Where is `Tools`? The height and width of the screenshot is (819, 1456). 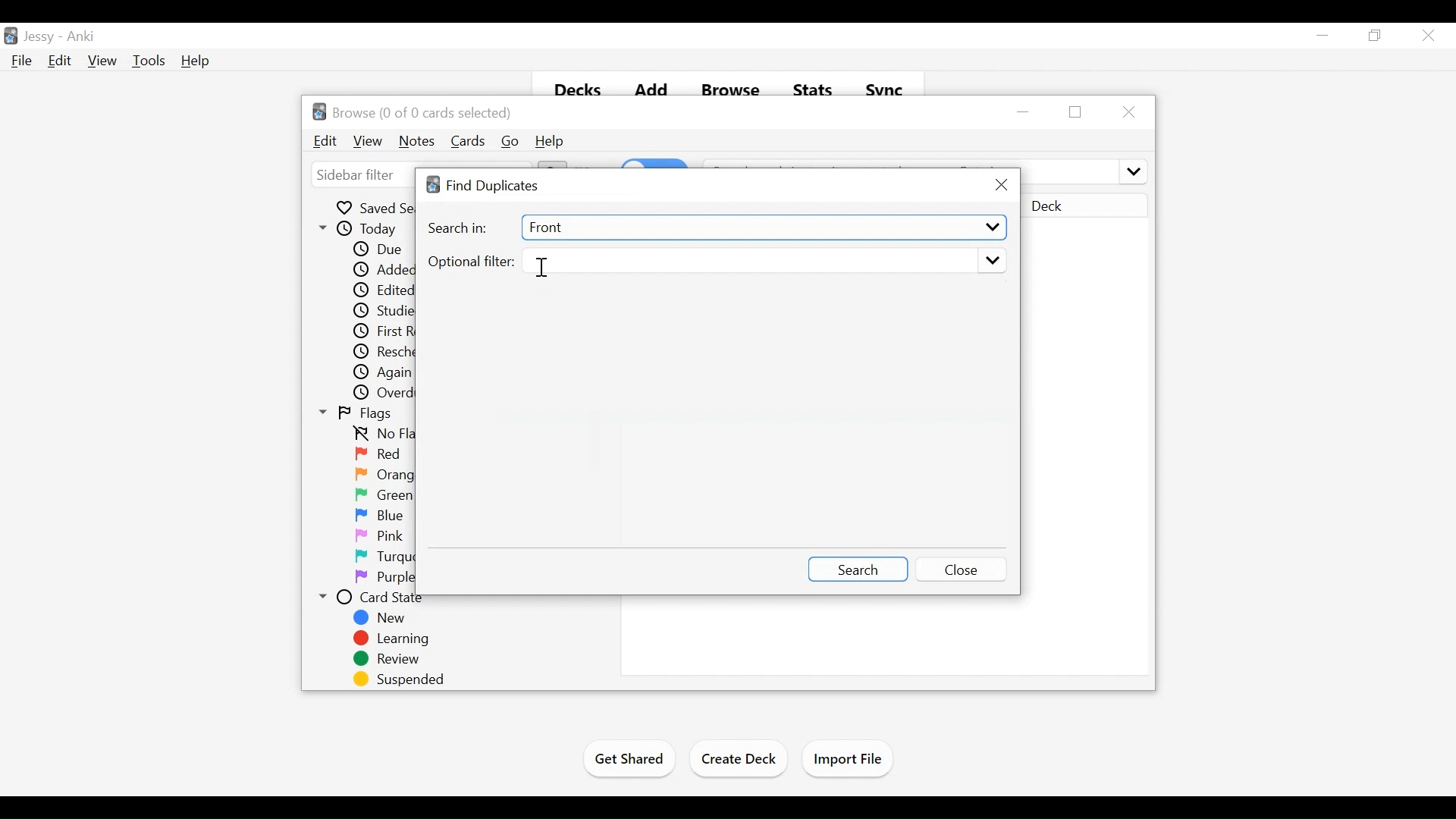
Tools is located at coordinates (148, 61).